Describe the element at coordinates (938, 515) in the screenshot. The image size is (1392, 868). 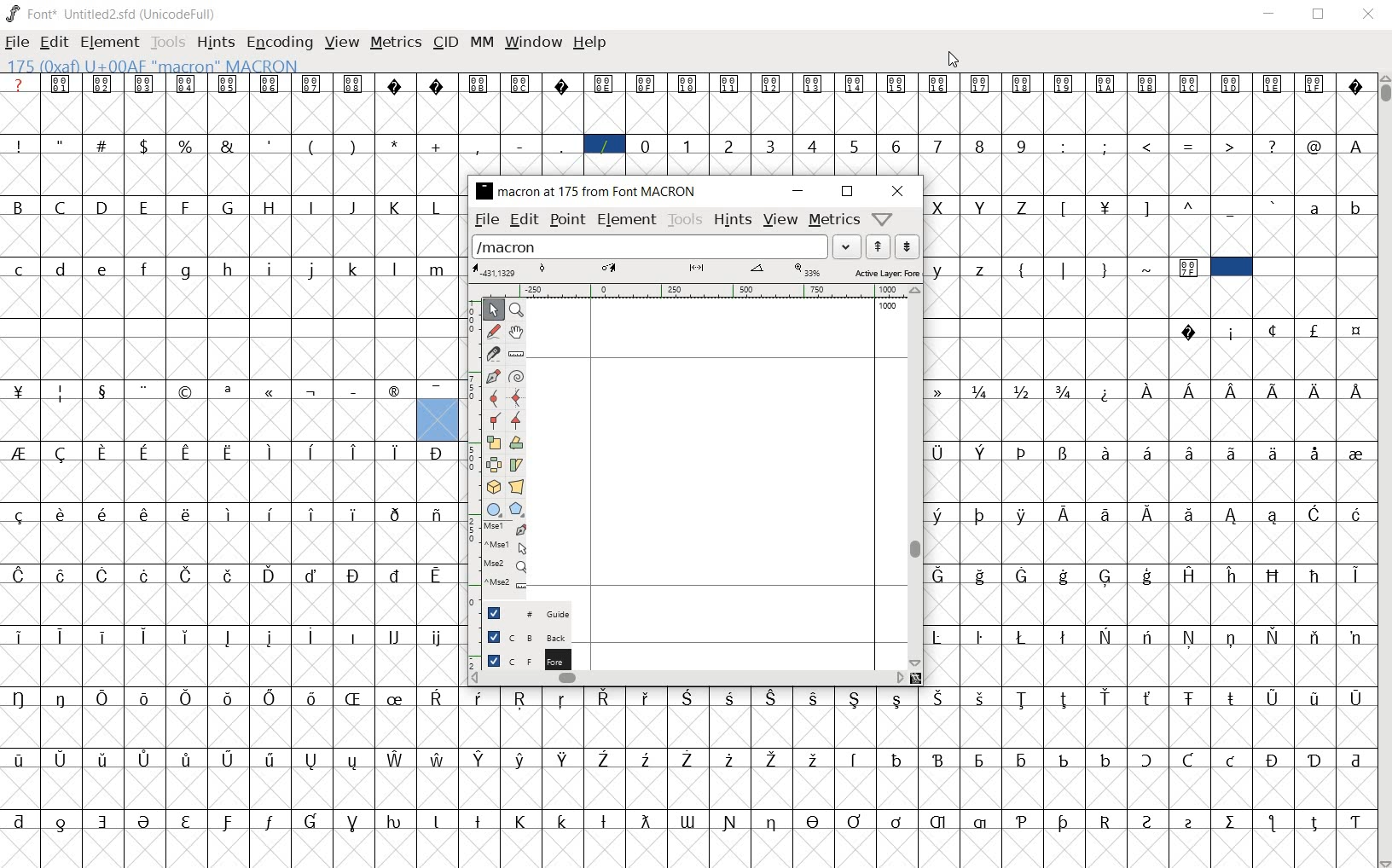
I see `Symbol` at that location.